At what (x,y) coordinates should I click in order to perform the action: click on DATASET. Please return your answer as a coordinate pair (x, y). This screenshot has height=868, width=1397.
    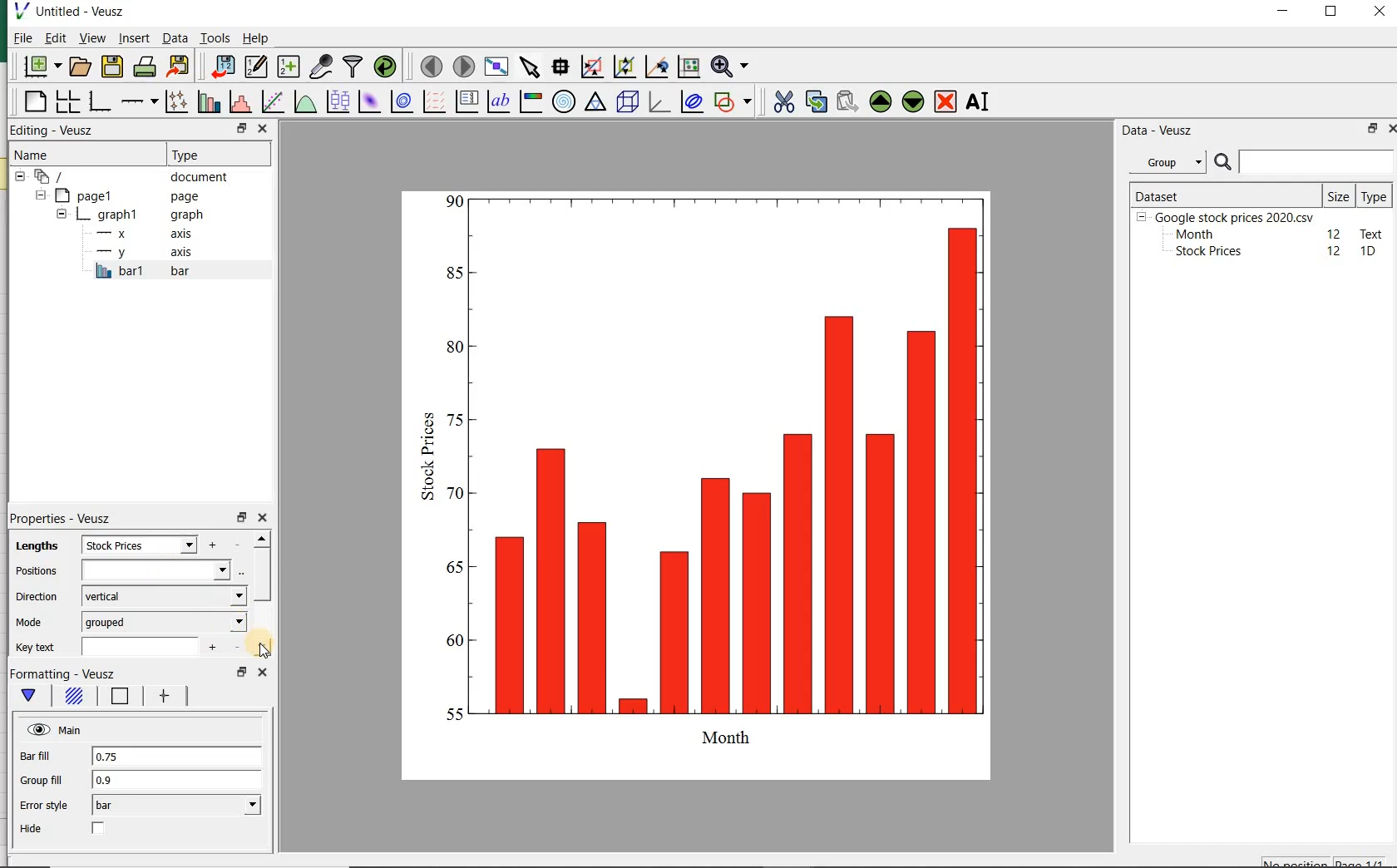
    Looking at the image, I should click on (1224, 193).